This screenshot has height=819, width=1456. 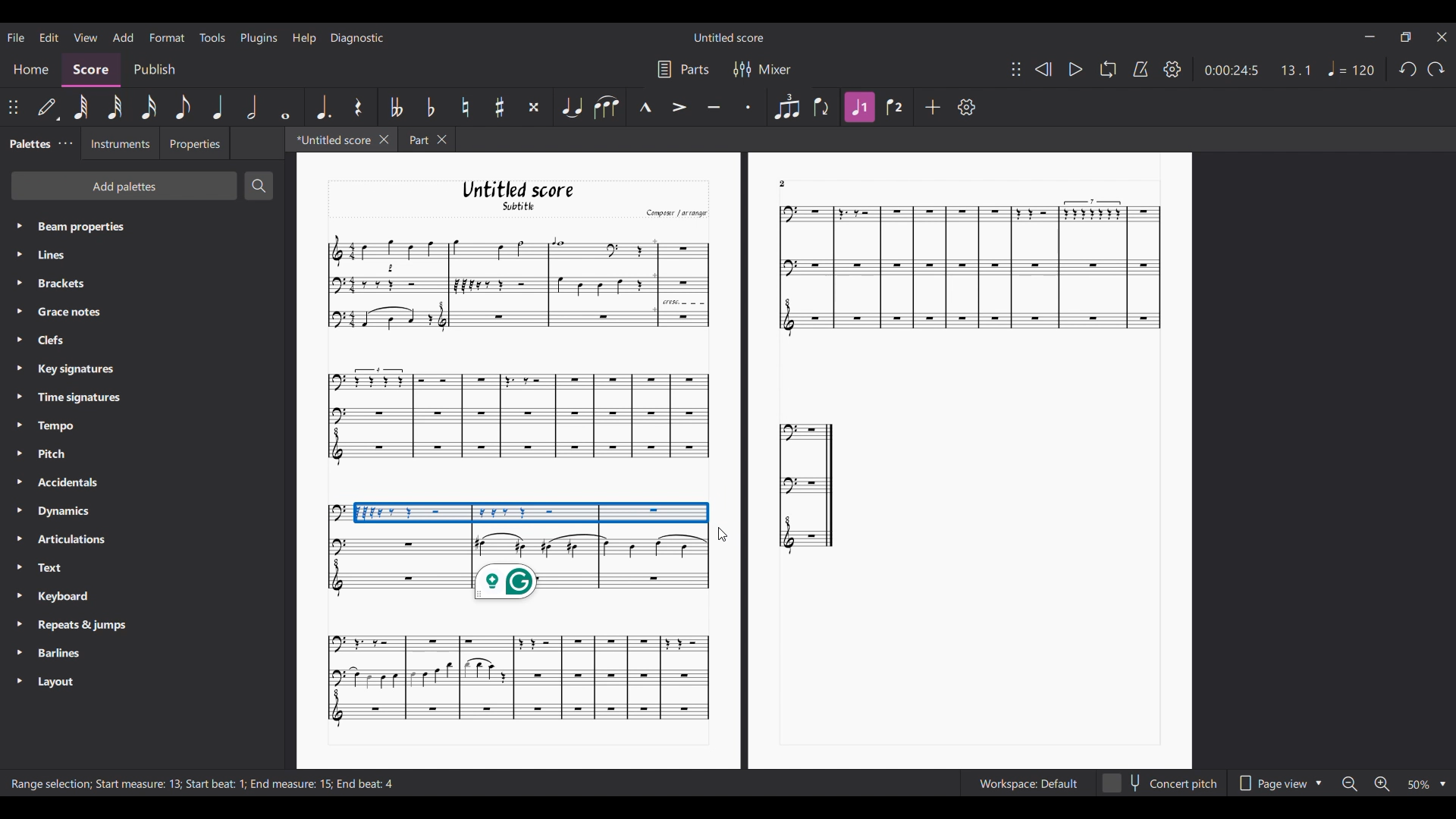 What do you see at coordinates (30, 71) in the screenshot?
I see `Home ` at bounding box center [30, 71].